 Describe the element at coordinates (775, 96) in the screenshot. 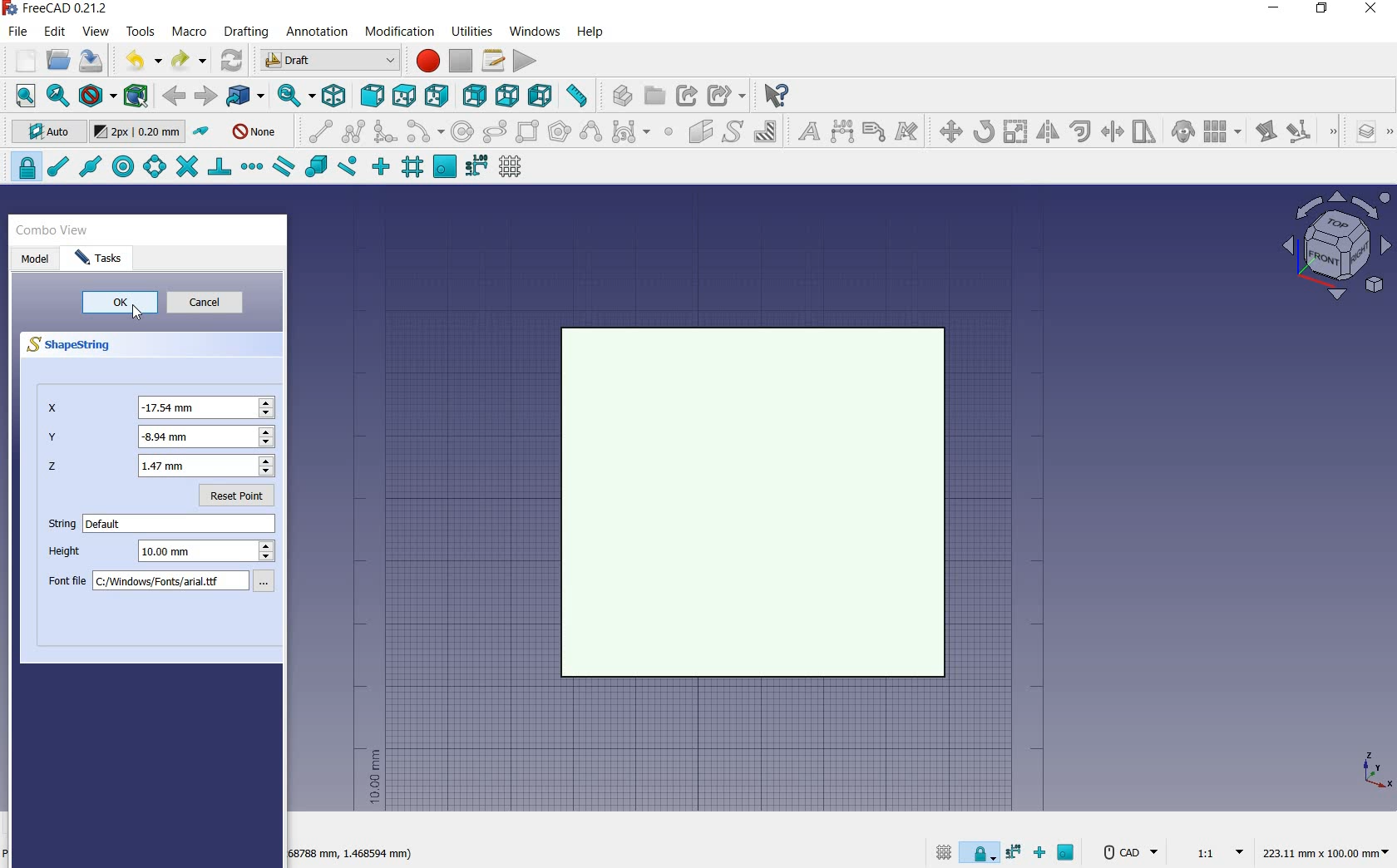

I see `what's this?` at that location.